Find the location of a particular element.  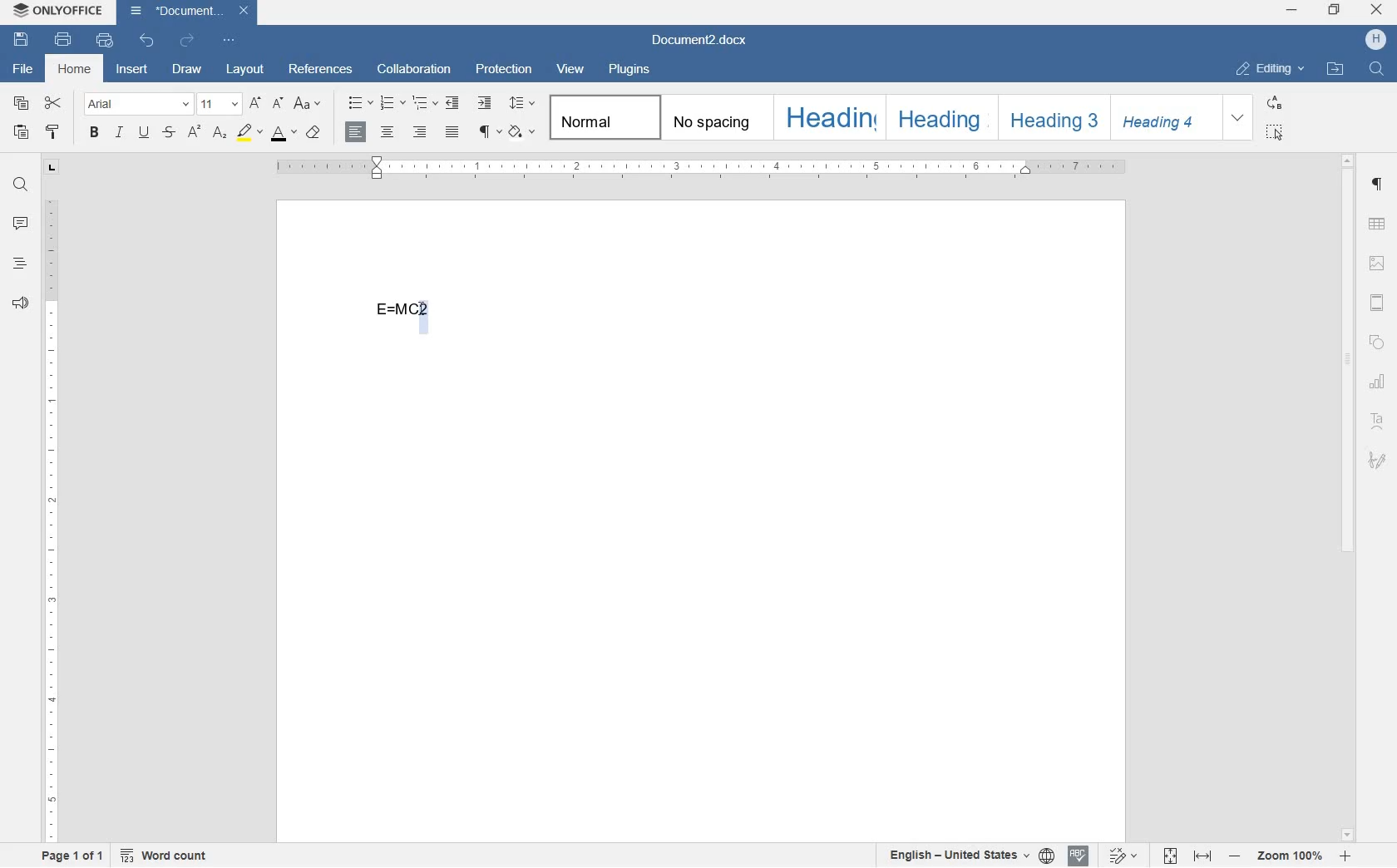

headings is located at coordinates (19, 264).